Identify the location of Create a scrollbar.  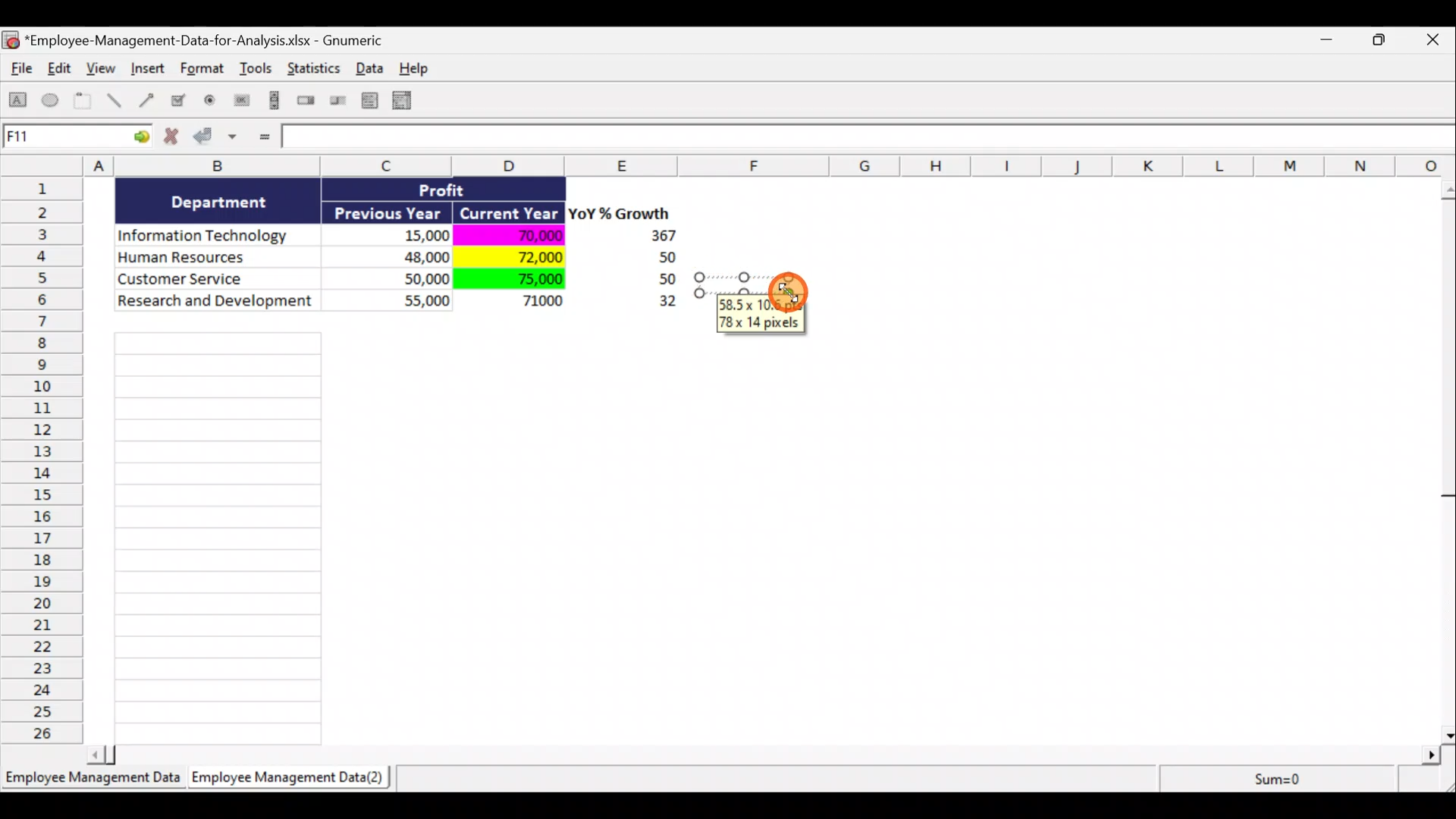
(272, 103).